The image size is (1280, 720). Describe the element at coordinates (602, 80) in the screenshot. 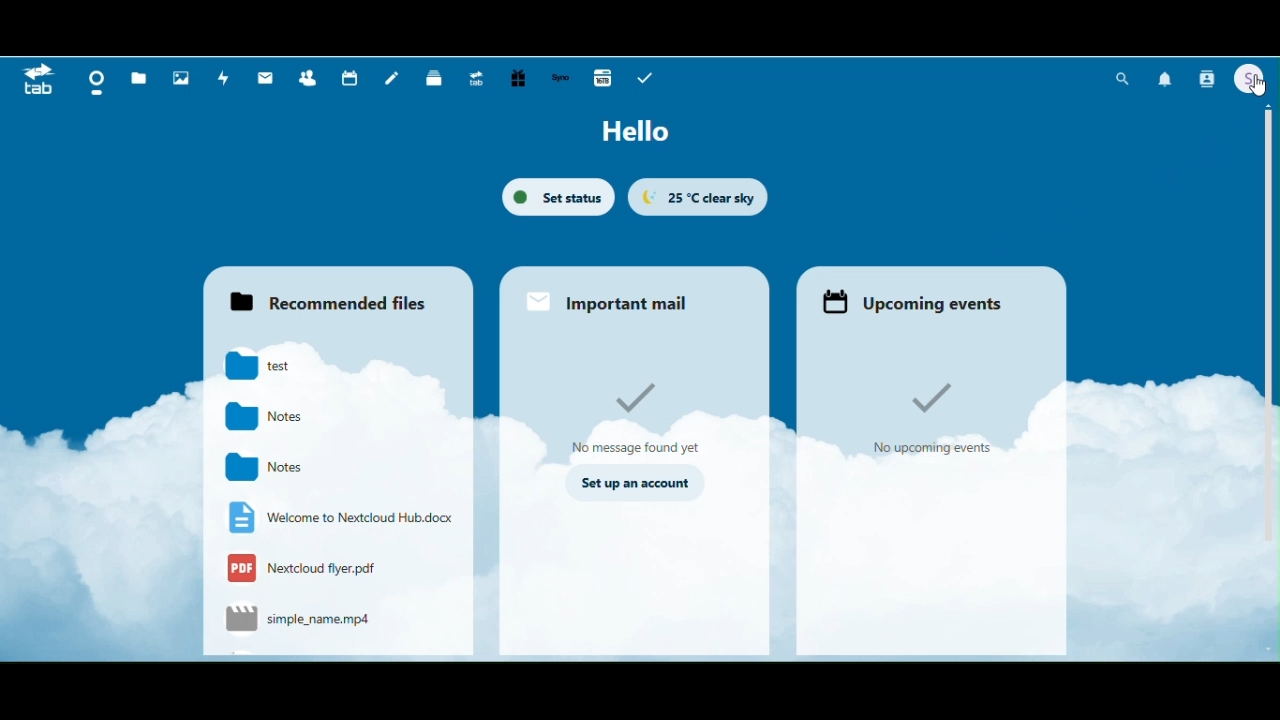

I see `16 TB` at that location.